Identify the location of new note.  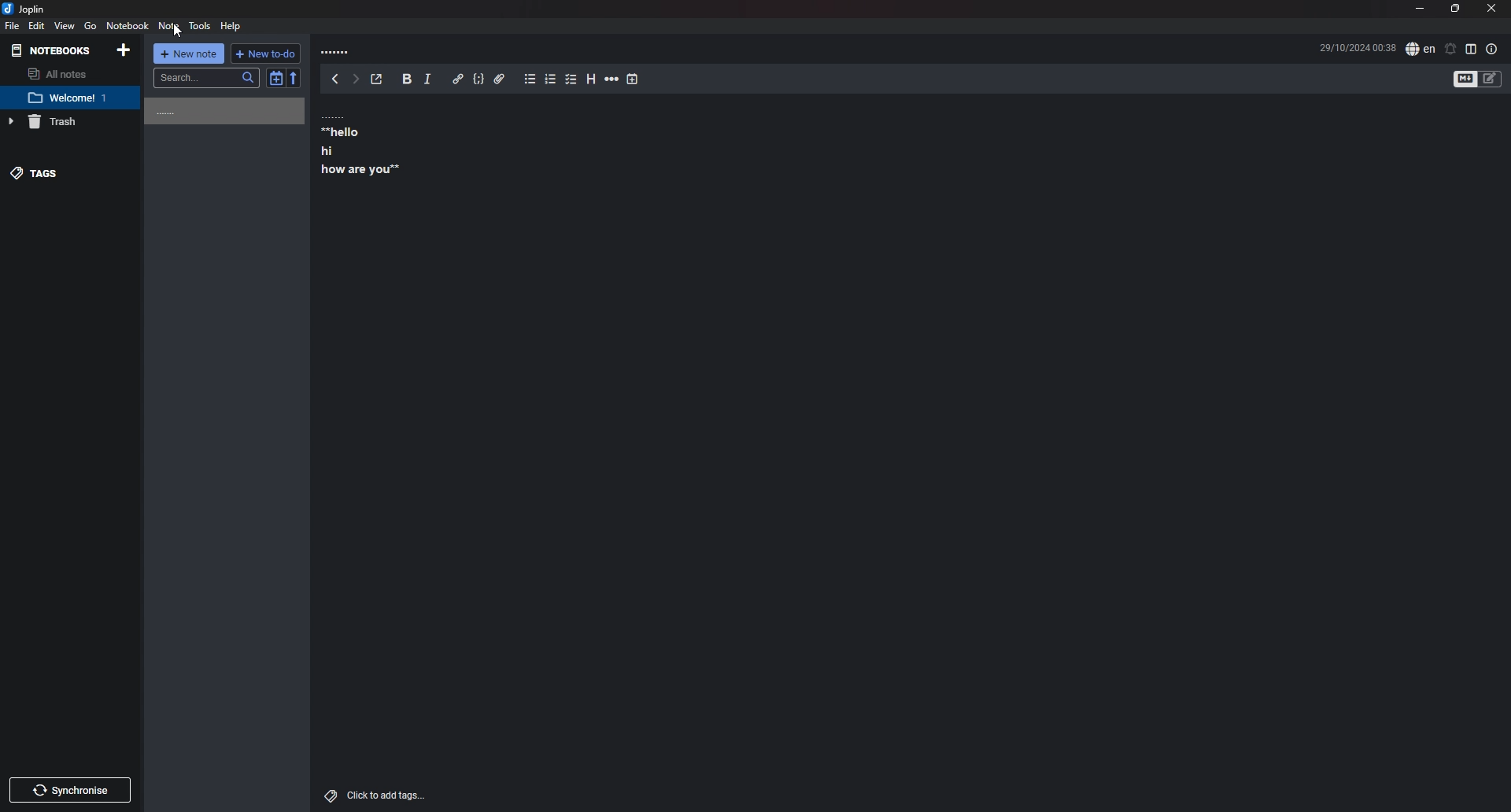
(189, 53).